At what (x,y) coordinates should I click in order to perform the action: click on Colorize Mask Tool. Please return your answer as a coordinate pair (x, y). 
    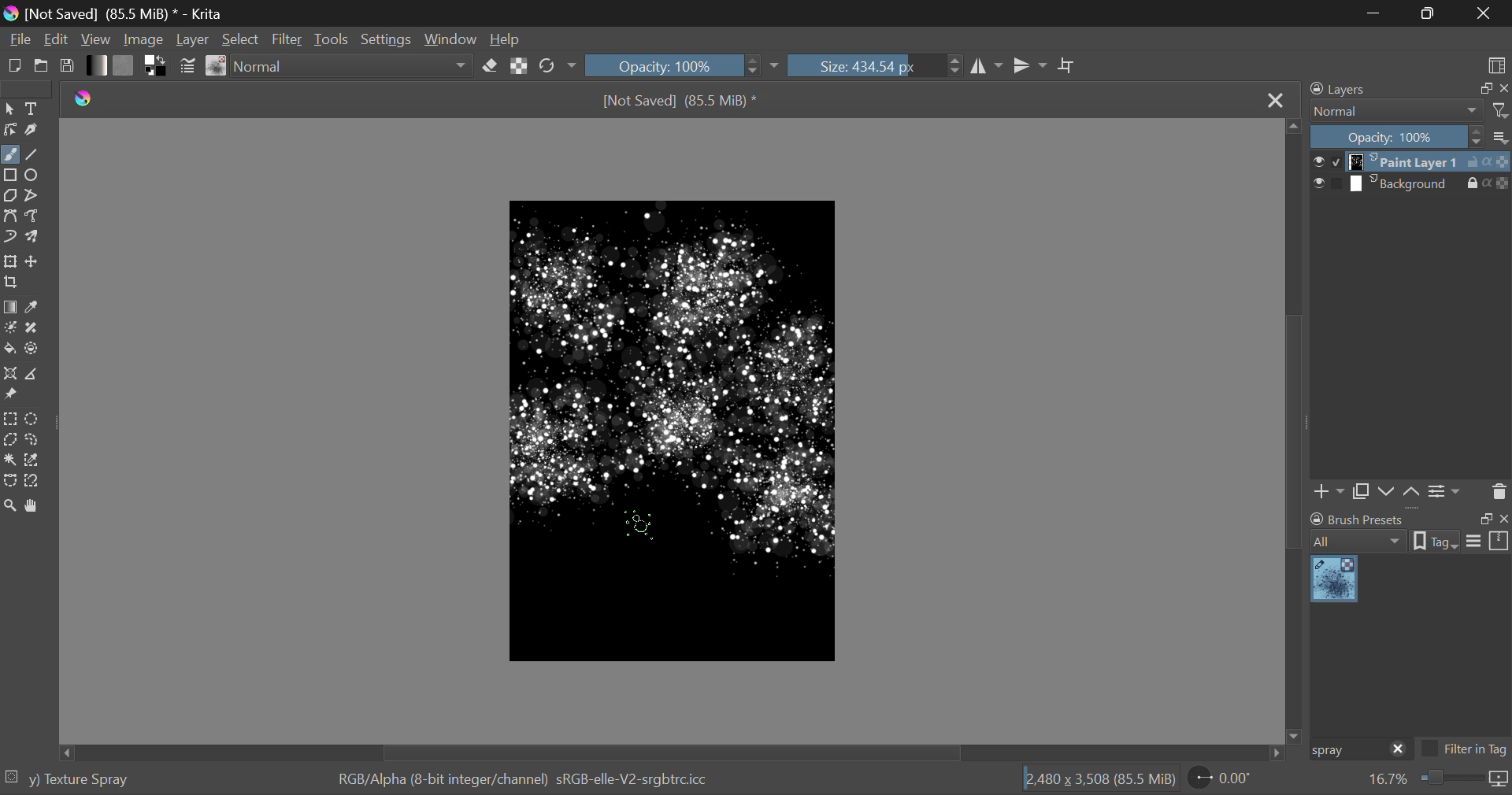
    Looking at the image, I should click on (10, 329).